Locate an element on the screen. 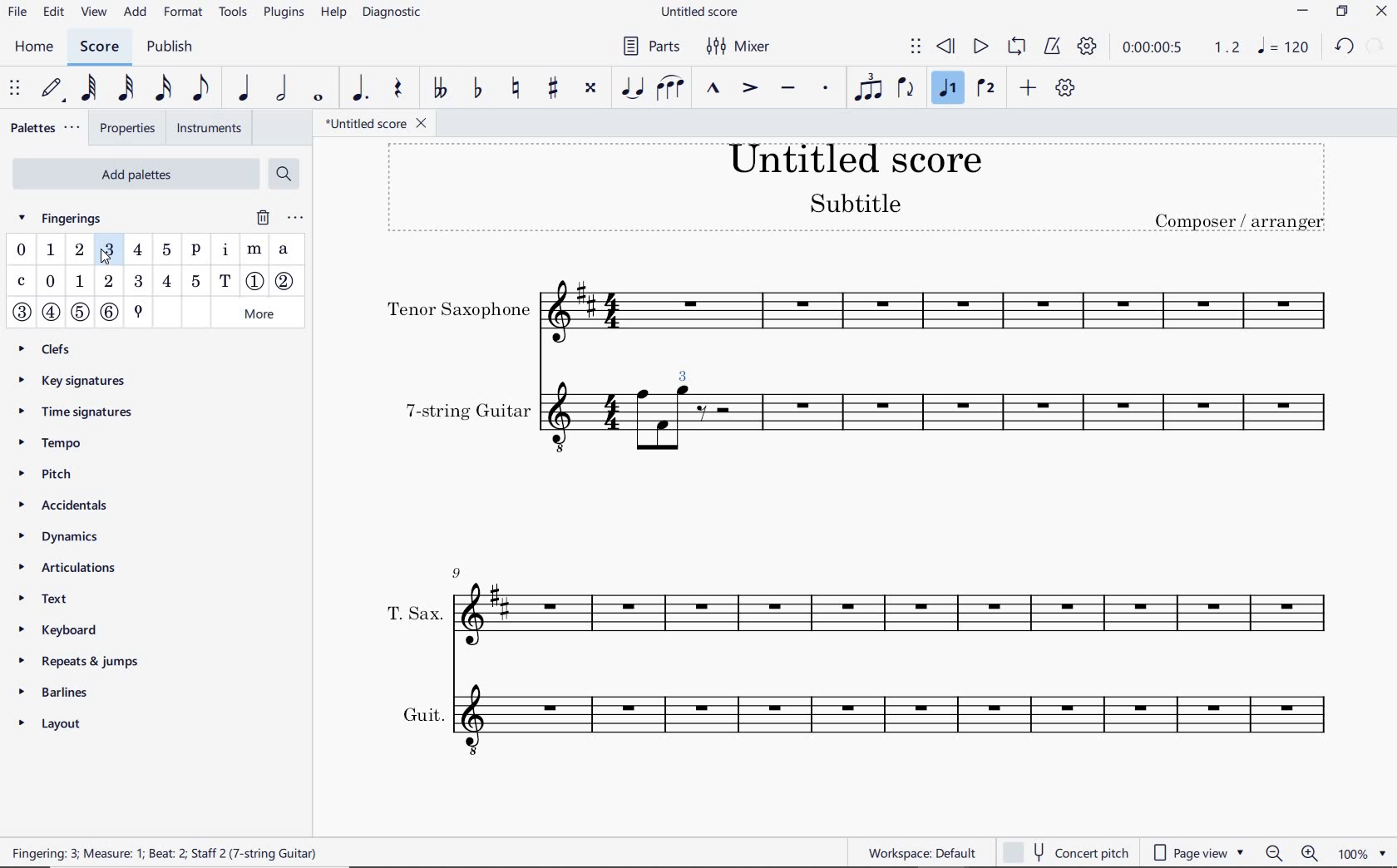 Image resolution: width=1397 pixels, height=868 pixels. FILE NAME is located at coordinates (701, 13).